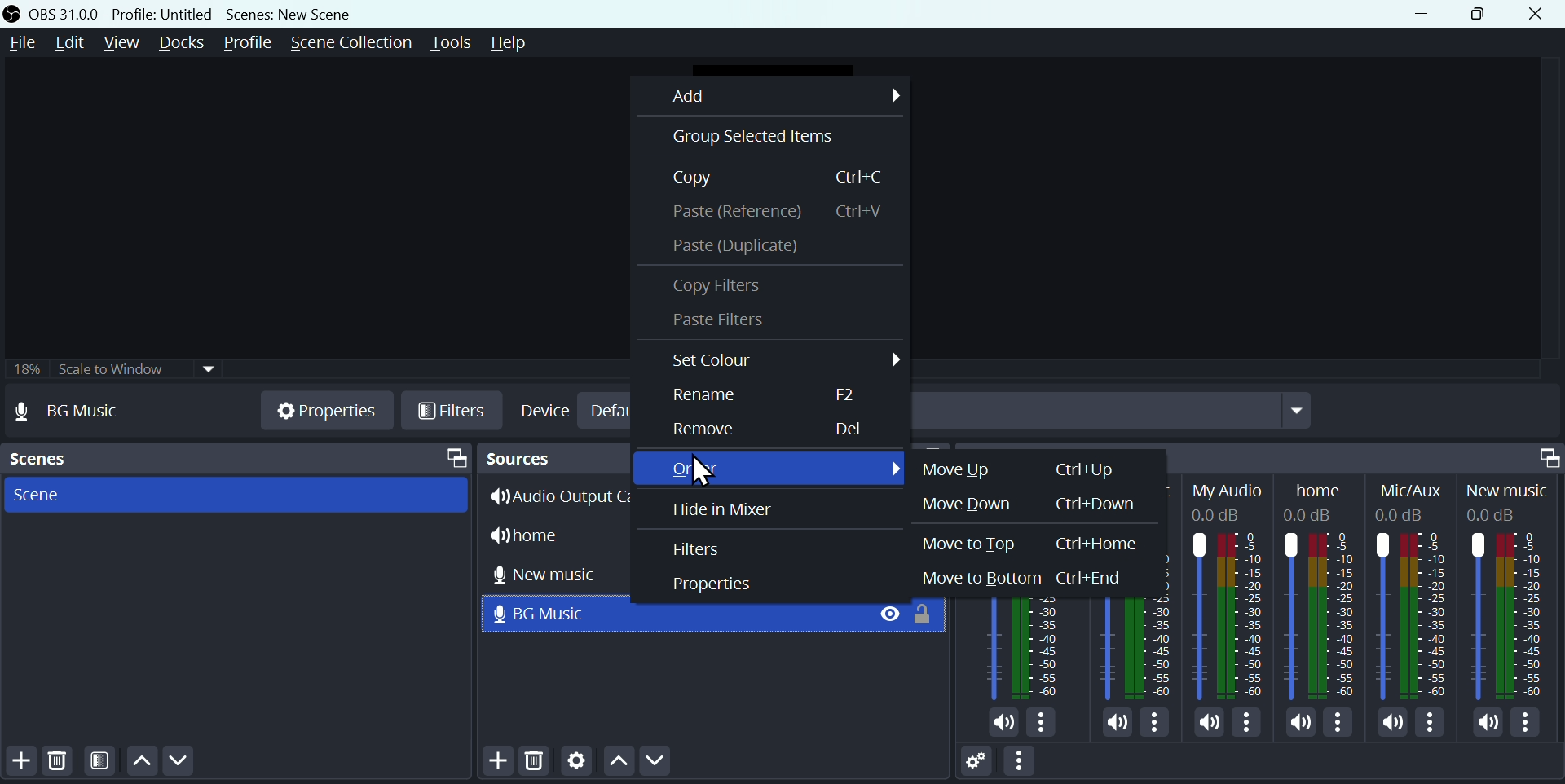 The width and height of the screenshot is (1565, 784). What do you see at coordinates (179, 43) in the screenshot?
I see `Docks` at bounding box center [179, 43].